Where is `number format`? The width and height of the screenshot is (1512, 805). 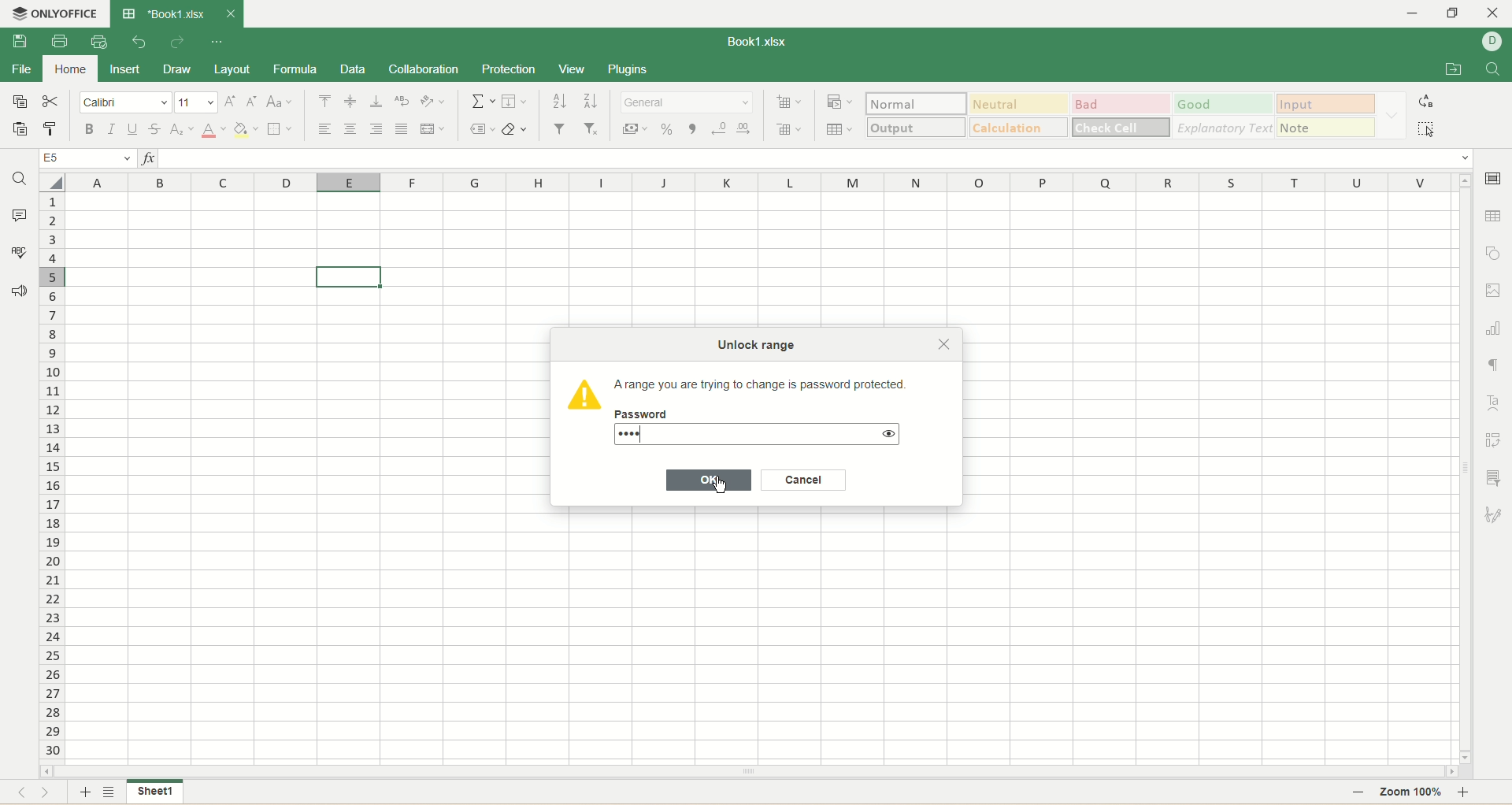
number format is located at coordinates (686, 103).